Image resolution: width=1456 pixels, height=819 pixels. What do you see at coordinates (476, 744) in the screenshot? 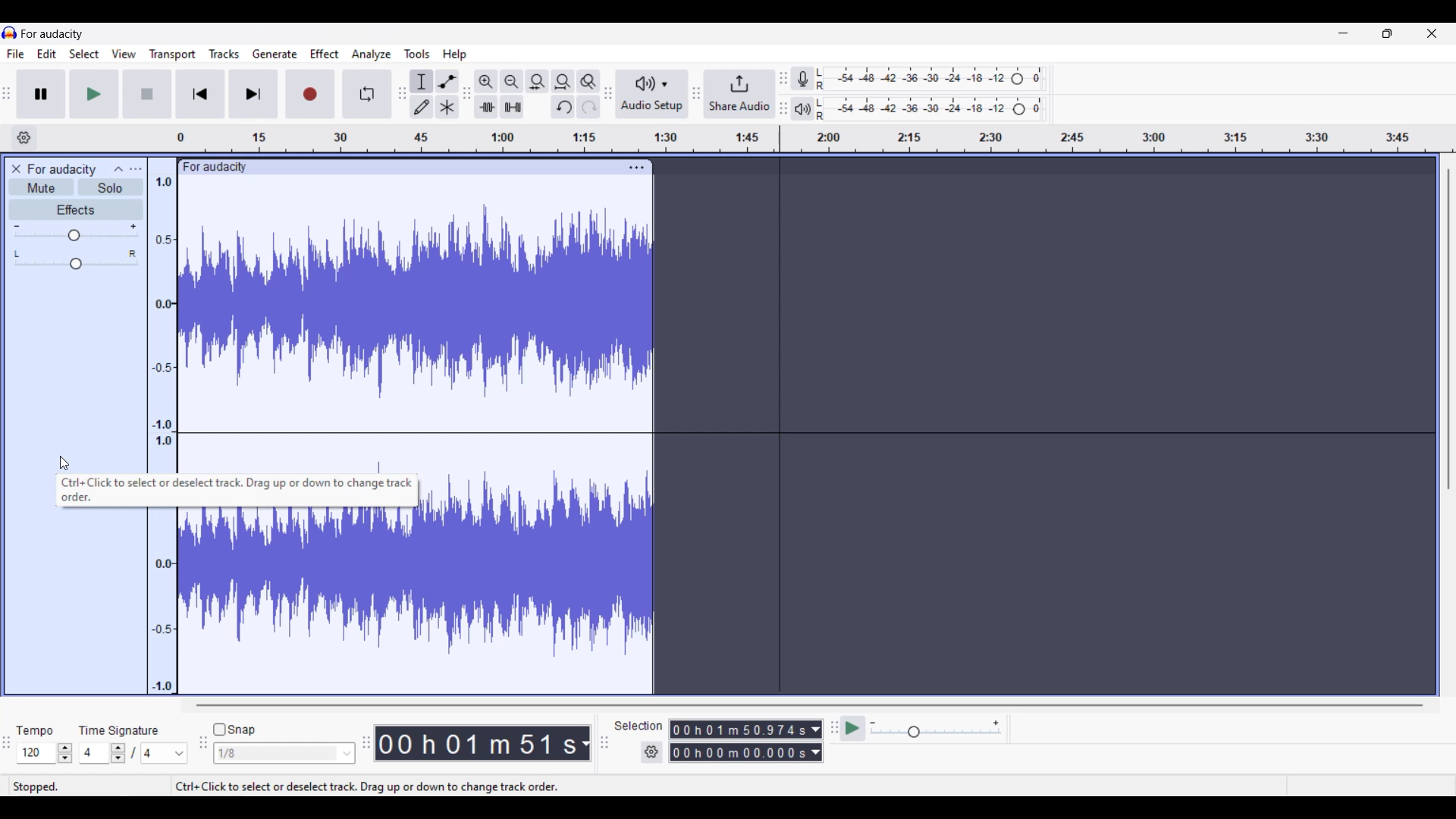
I see `Current duration` at bounding box center [476, 744].